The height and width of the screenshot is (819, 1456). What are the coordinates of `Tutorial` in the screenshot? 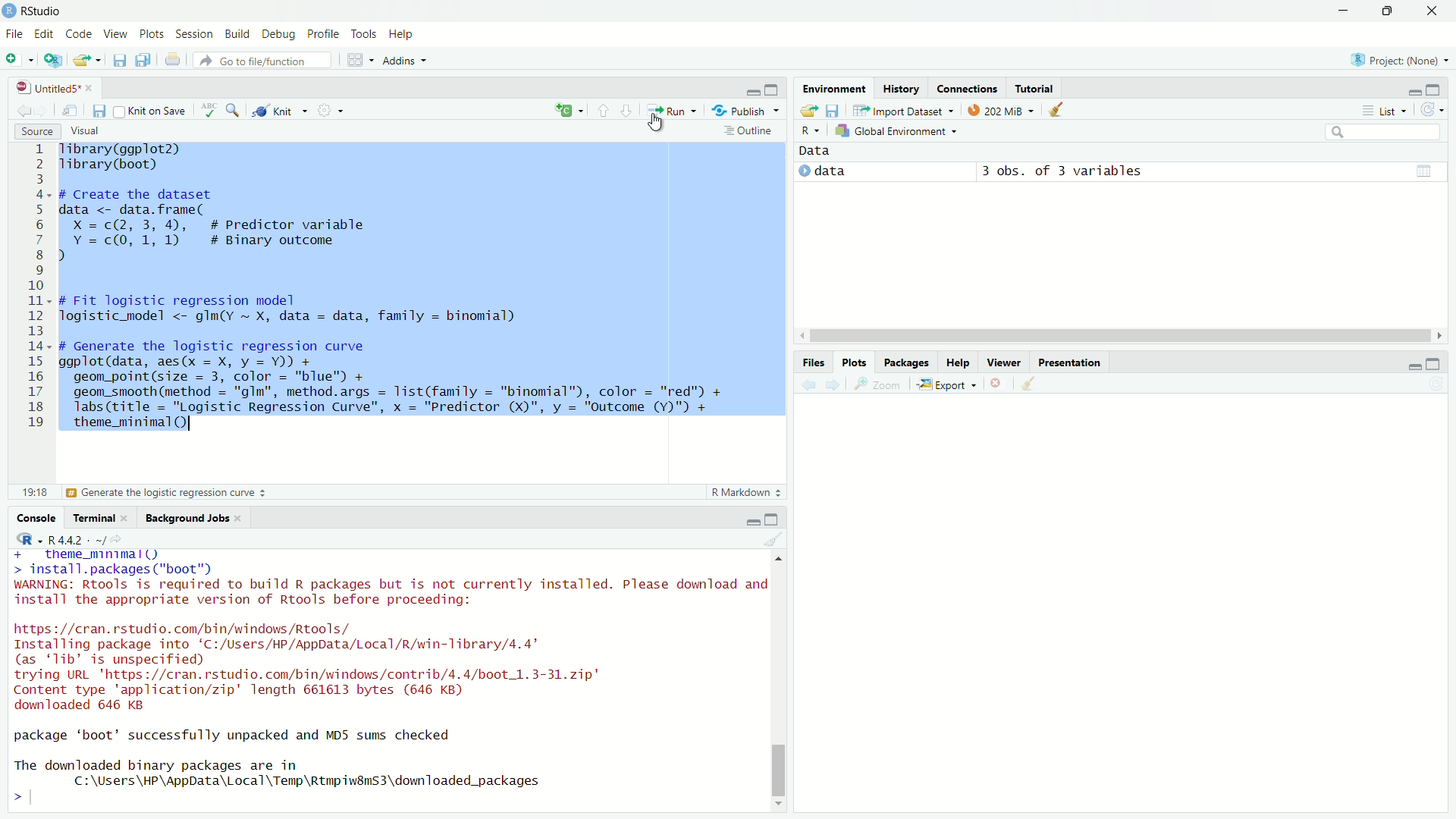 It's located at (1035, 87).